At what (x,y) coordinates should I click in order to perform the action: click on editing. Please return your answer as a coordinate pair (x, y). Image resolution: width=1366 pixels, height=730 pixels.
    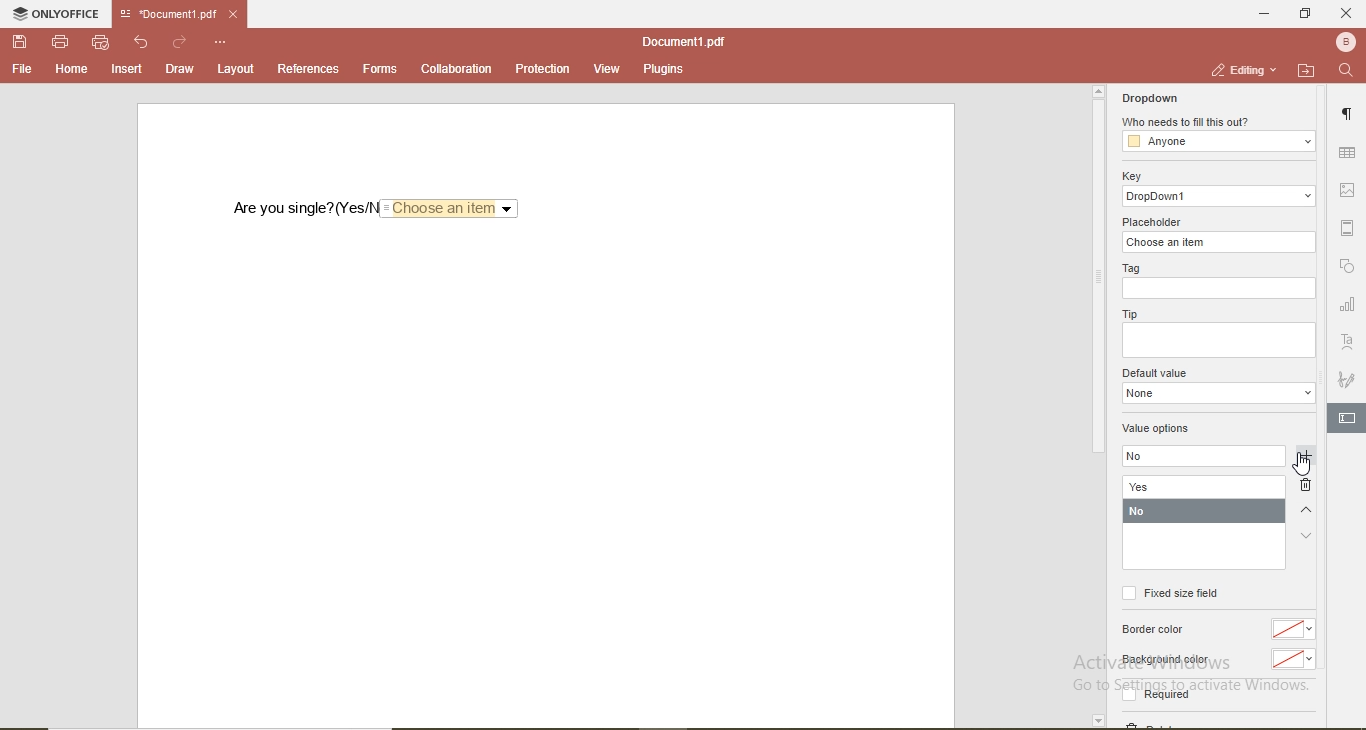
    Looking at the image, I should click on (1246, 68).